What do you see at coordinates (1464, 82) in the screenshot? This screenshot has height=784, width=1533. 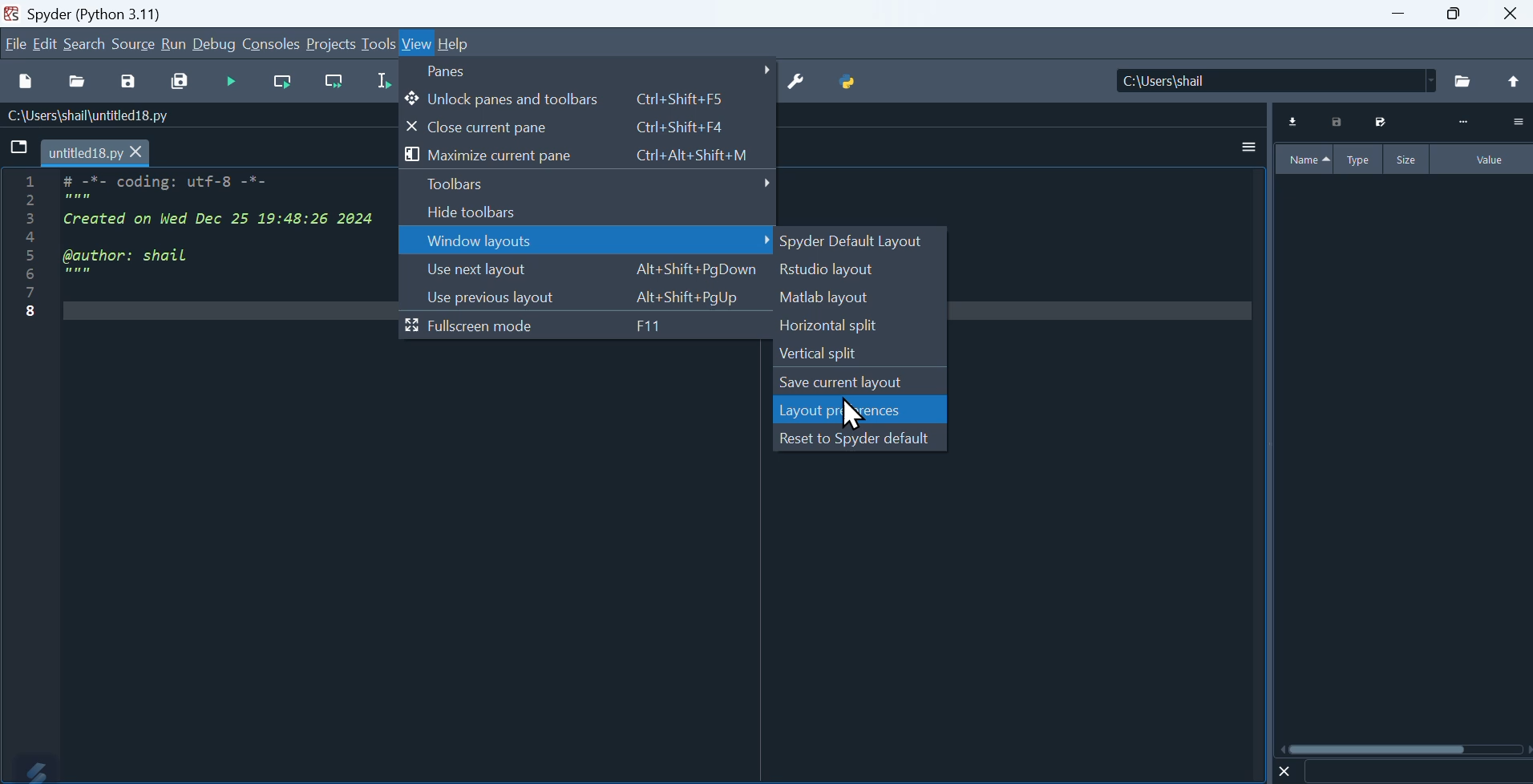 I see `Folder` at bounding box center [1464, 82].